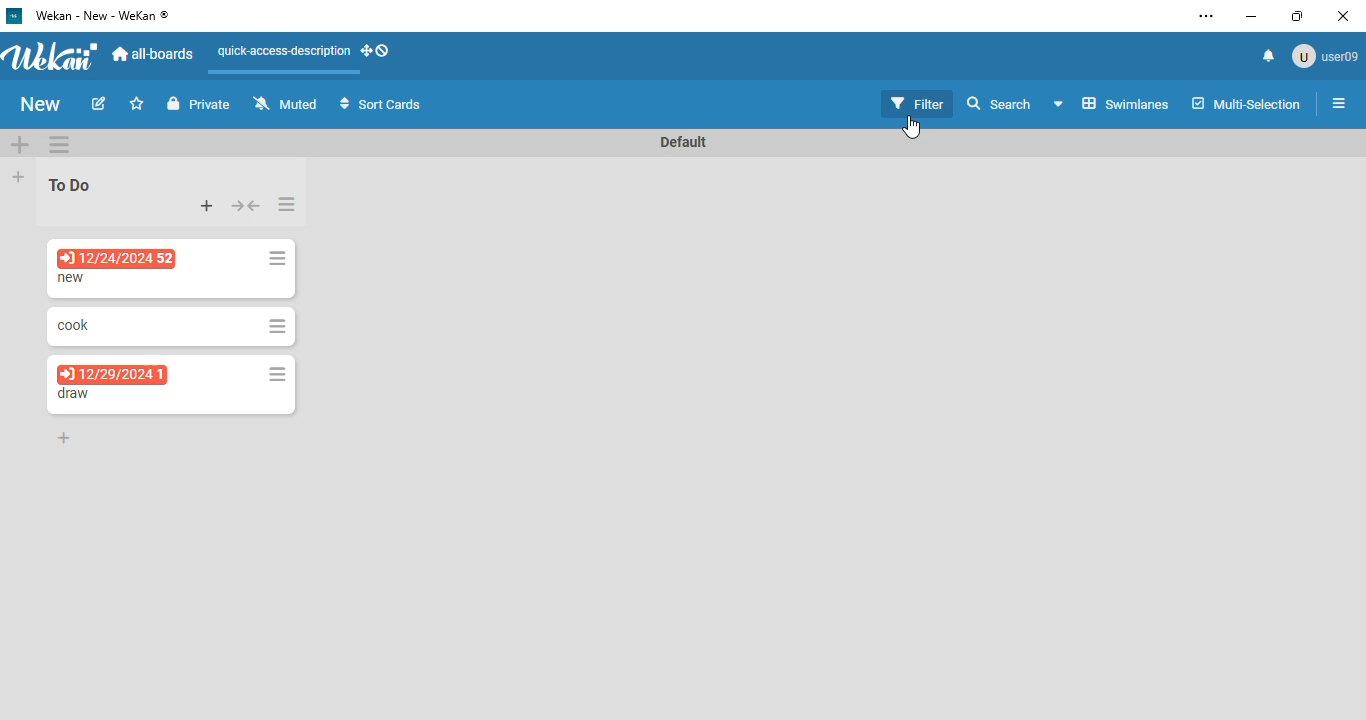 This screenshot has width=1366, height=720. Describe the element at coordinates (73, 394) in the screenshot. I see `card name` at that location.